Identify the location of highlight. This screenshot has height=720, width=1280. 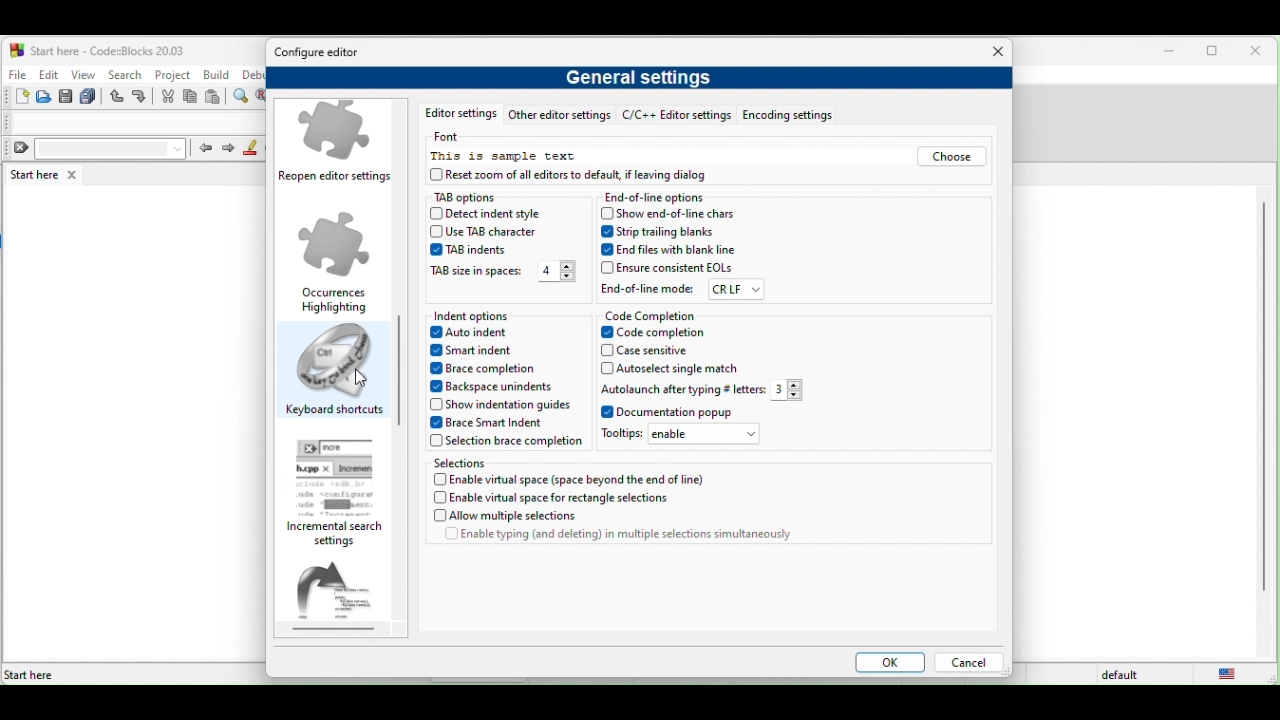
(251, 148).